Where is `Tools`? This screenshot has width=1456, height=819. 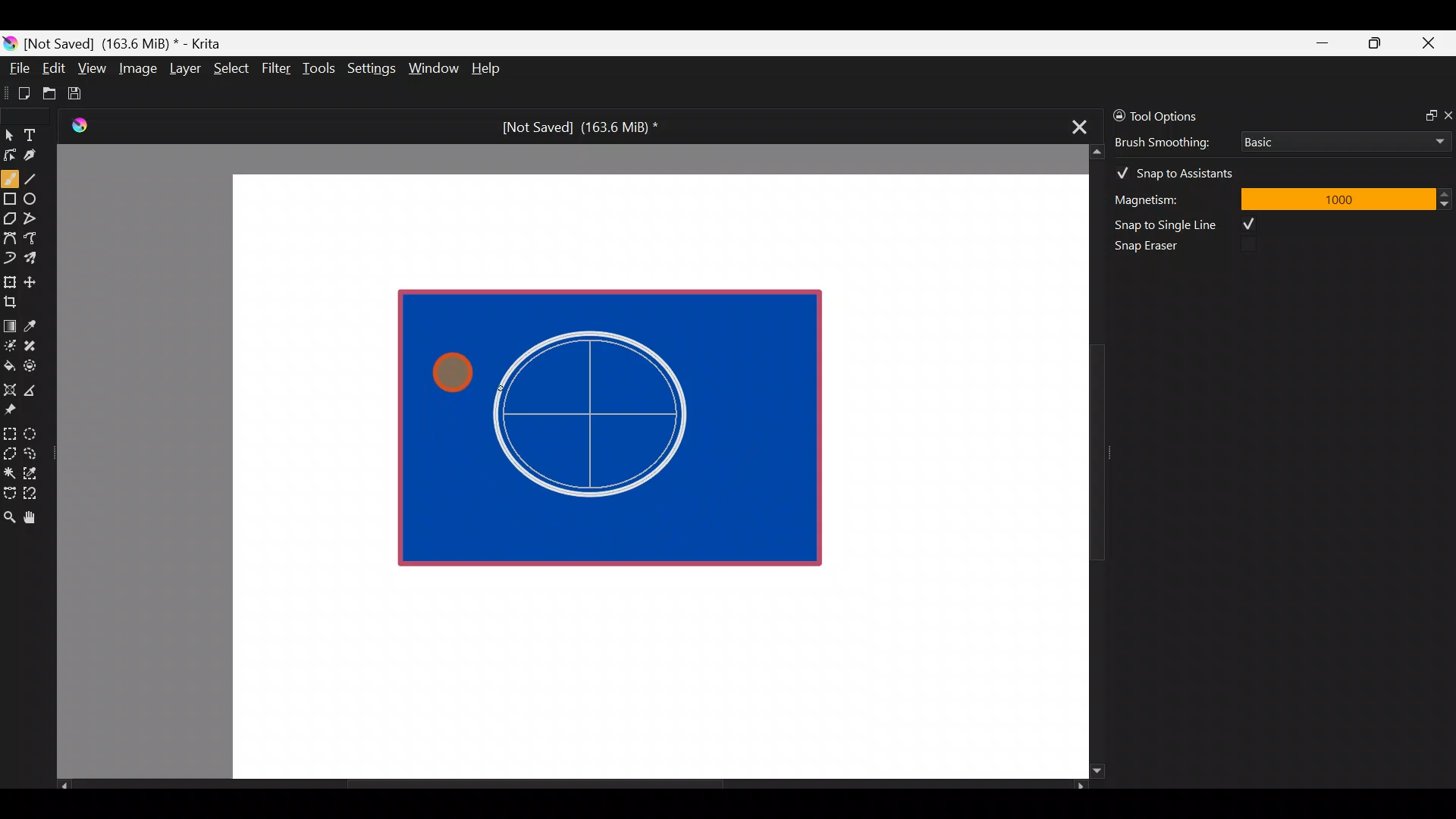
Tools is located at coordinates (322, 69).